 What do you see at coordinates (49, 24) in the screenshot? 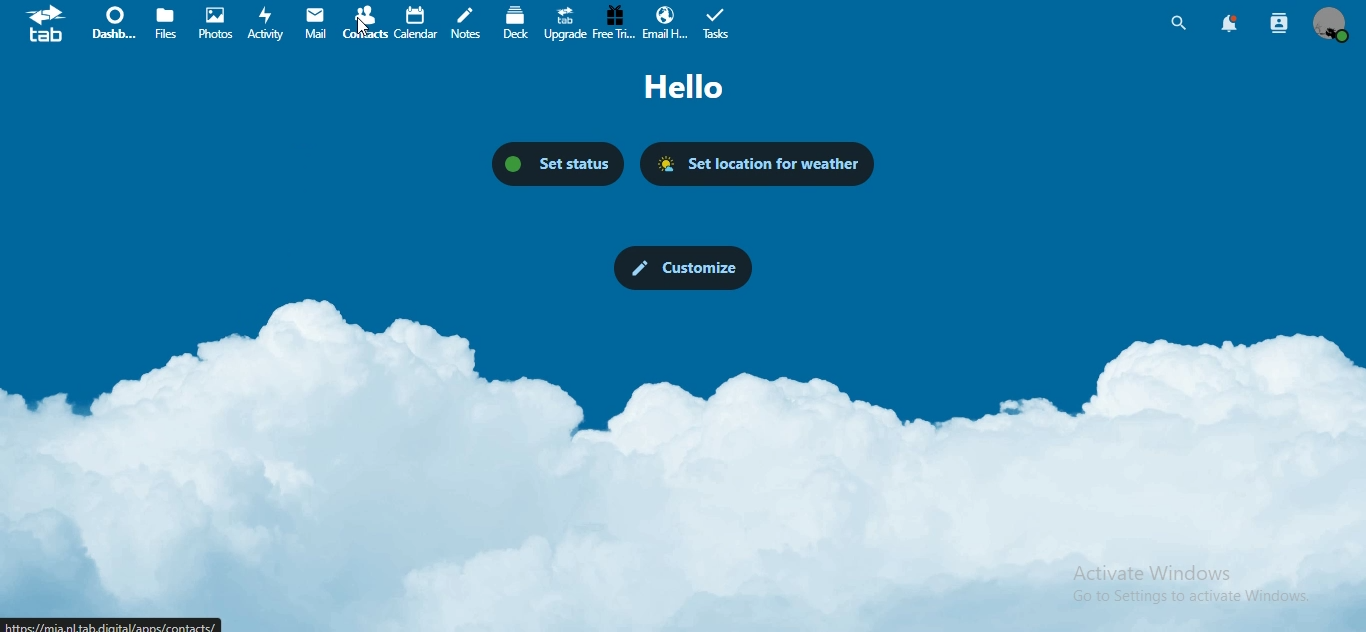
I see `icon` at bounding box center [49, 24].